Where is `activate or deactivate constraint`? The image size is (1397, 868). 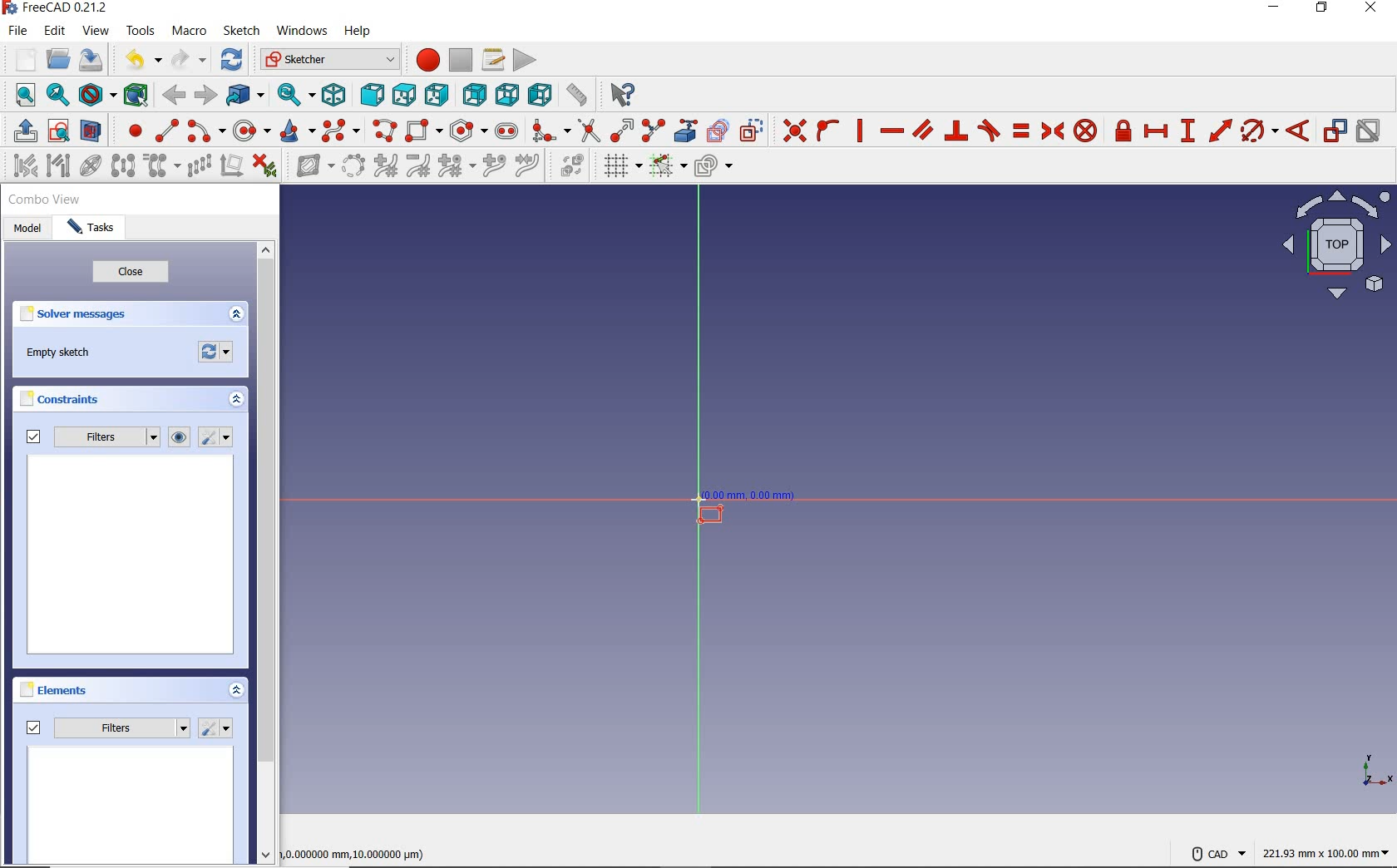 activate or deactivate constraint is located at coordinates (1369, 131).